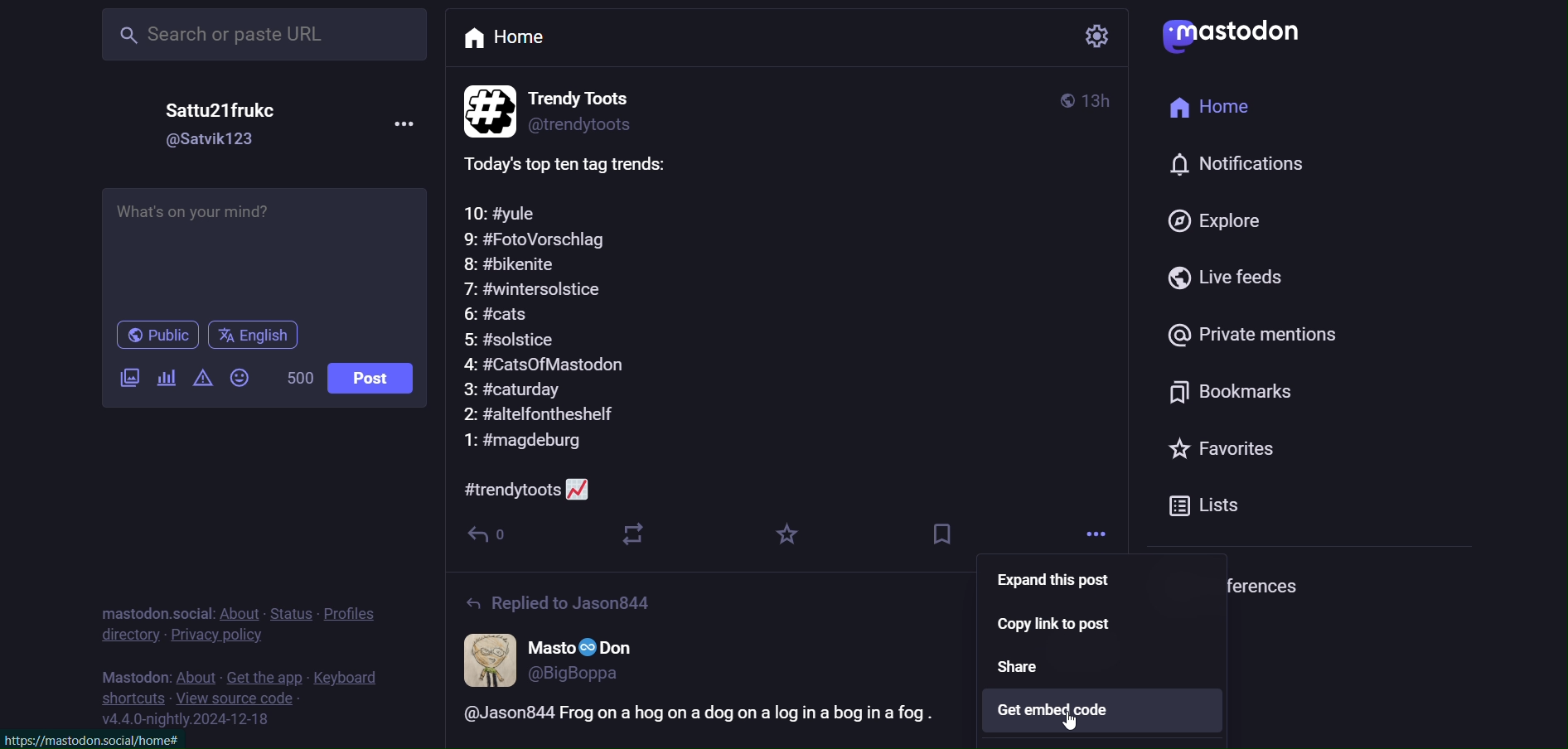  Describe the element at coordinates (1244, 38) in the screenshot. I see `logo` at that location.